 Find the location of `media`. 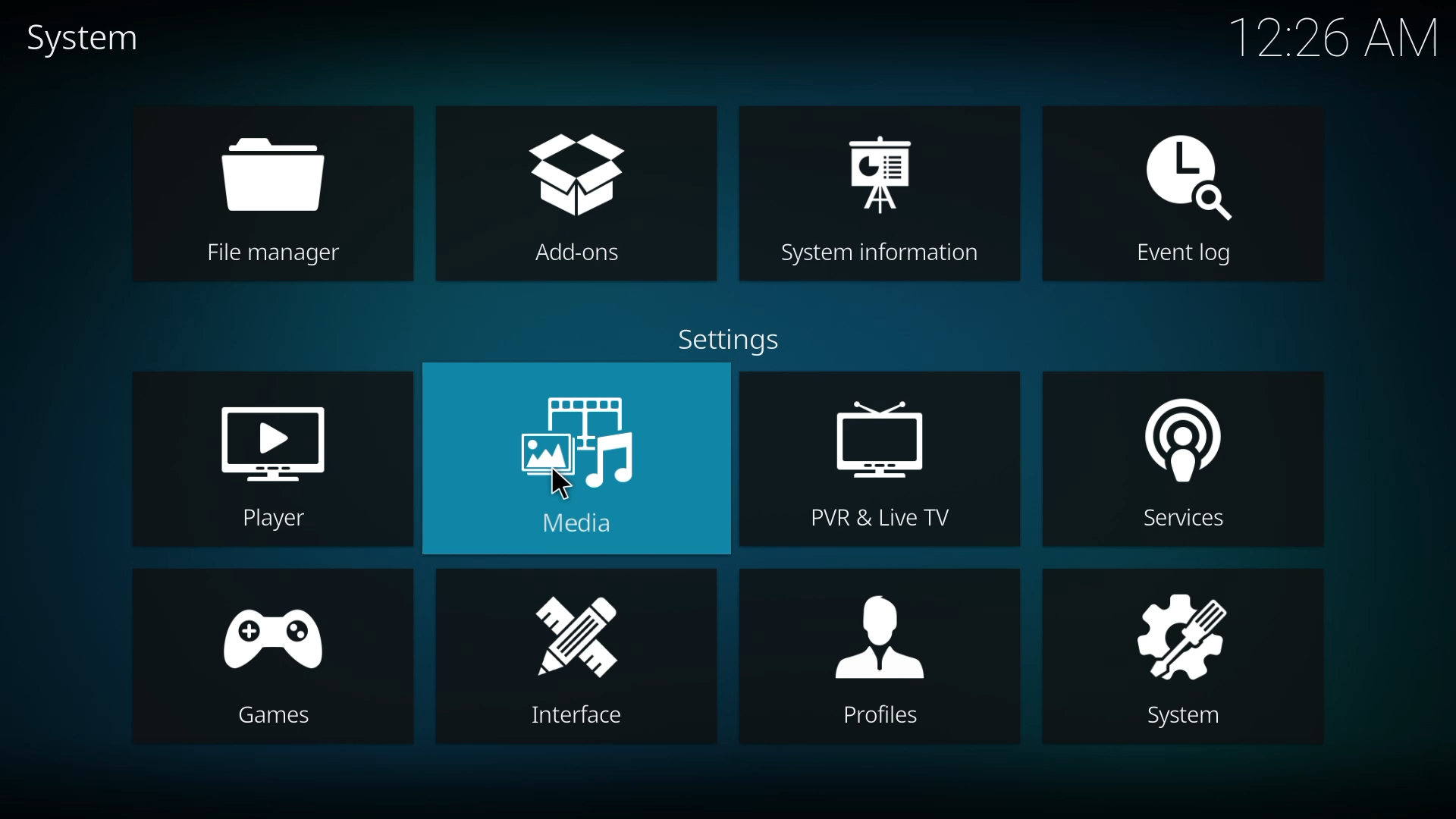

media is located at coordinates (574, 465).